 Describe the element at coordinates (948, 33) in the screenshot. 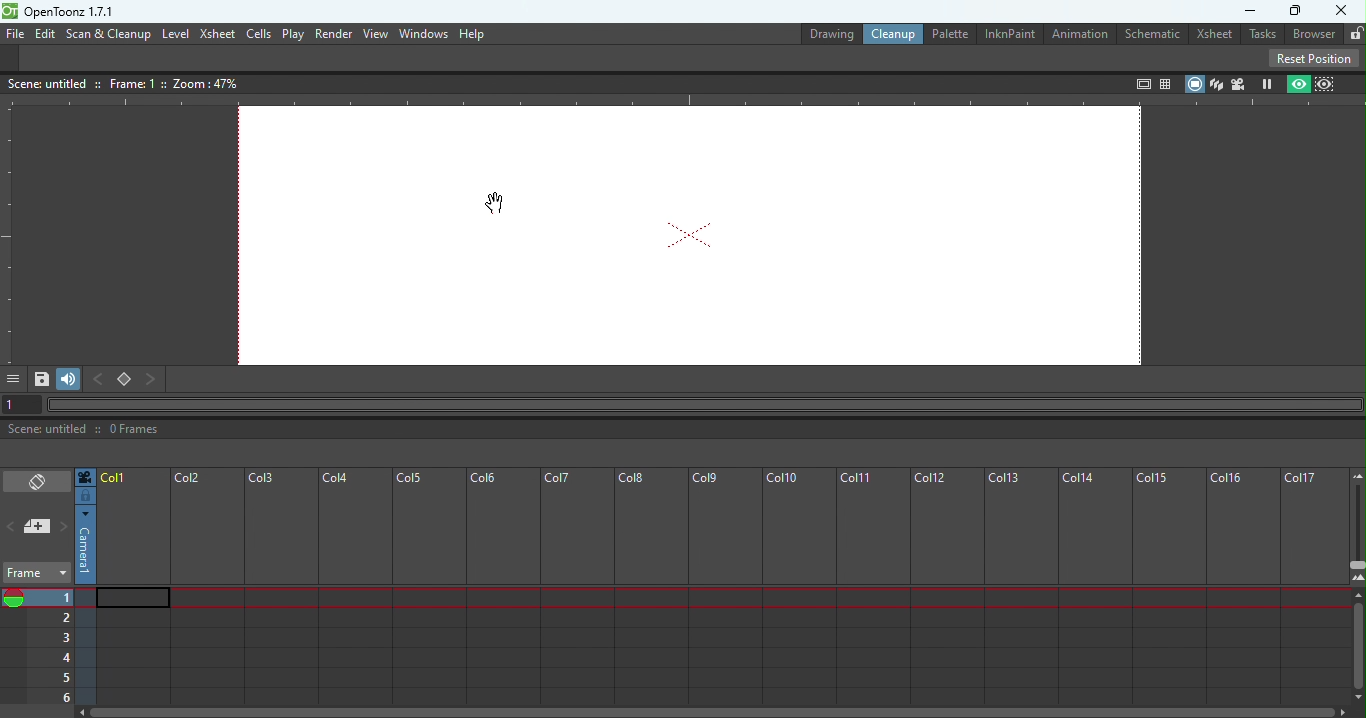

I see `Palette` at that location.